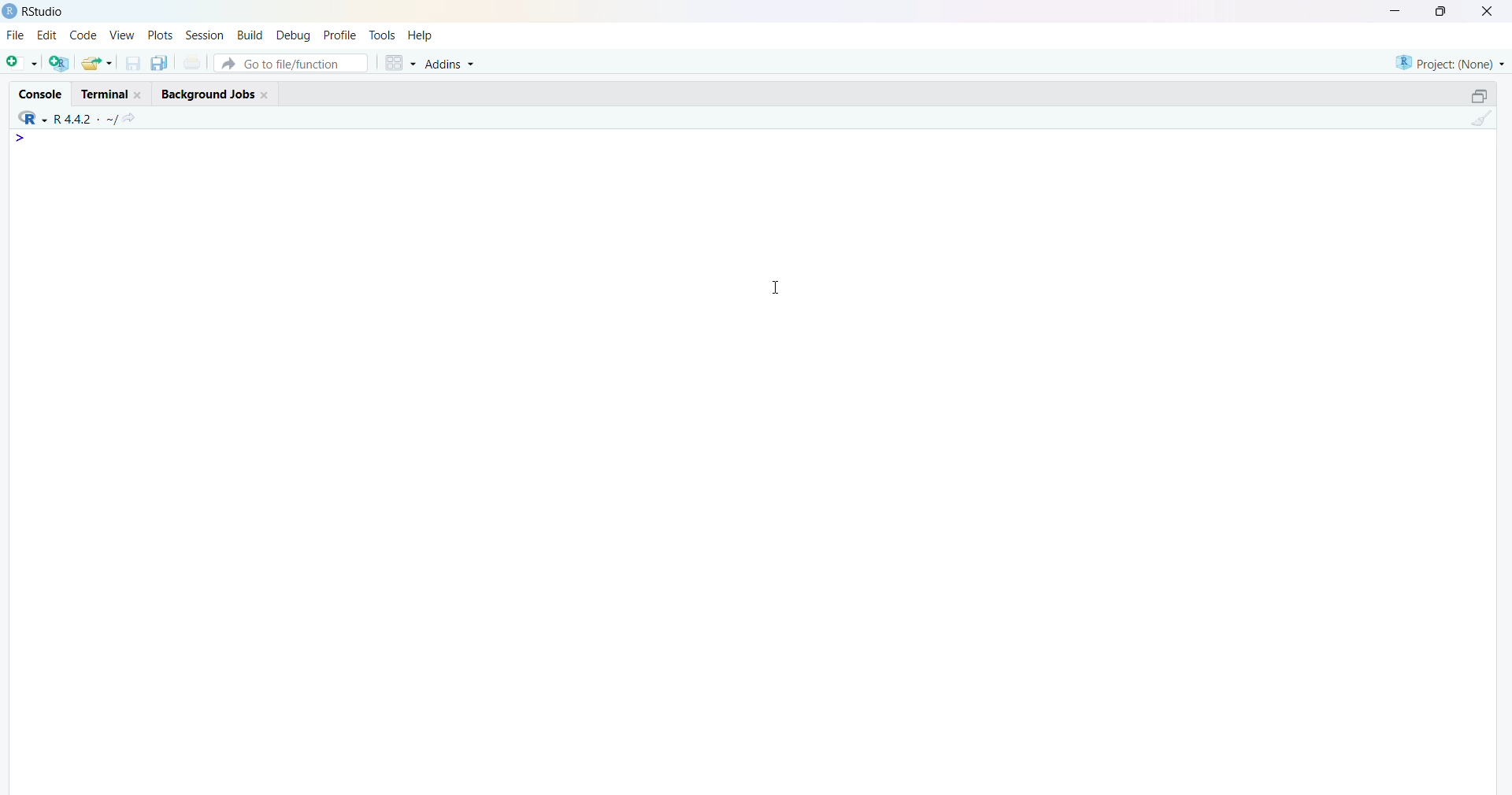 Image resolution: width=1512 pixels, height=795 pixels. Describe the element at coordinates (32, 118) in the screenshot. I see `R` at that location.